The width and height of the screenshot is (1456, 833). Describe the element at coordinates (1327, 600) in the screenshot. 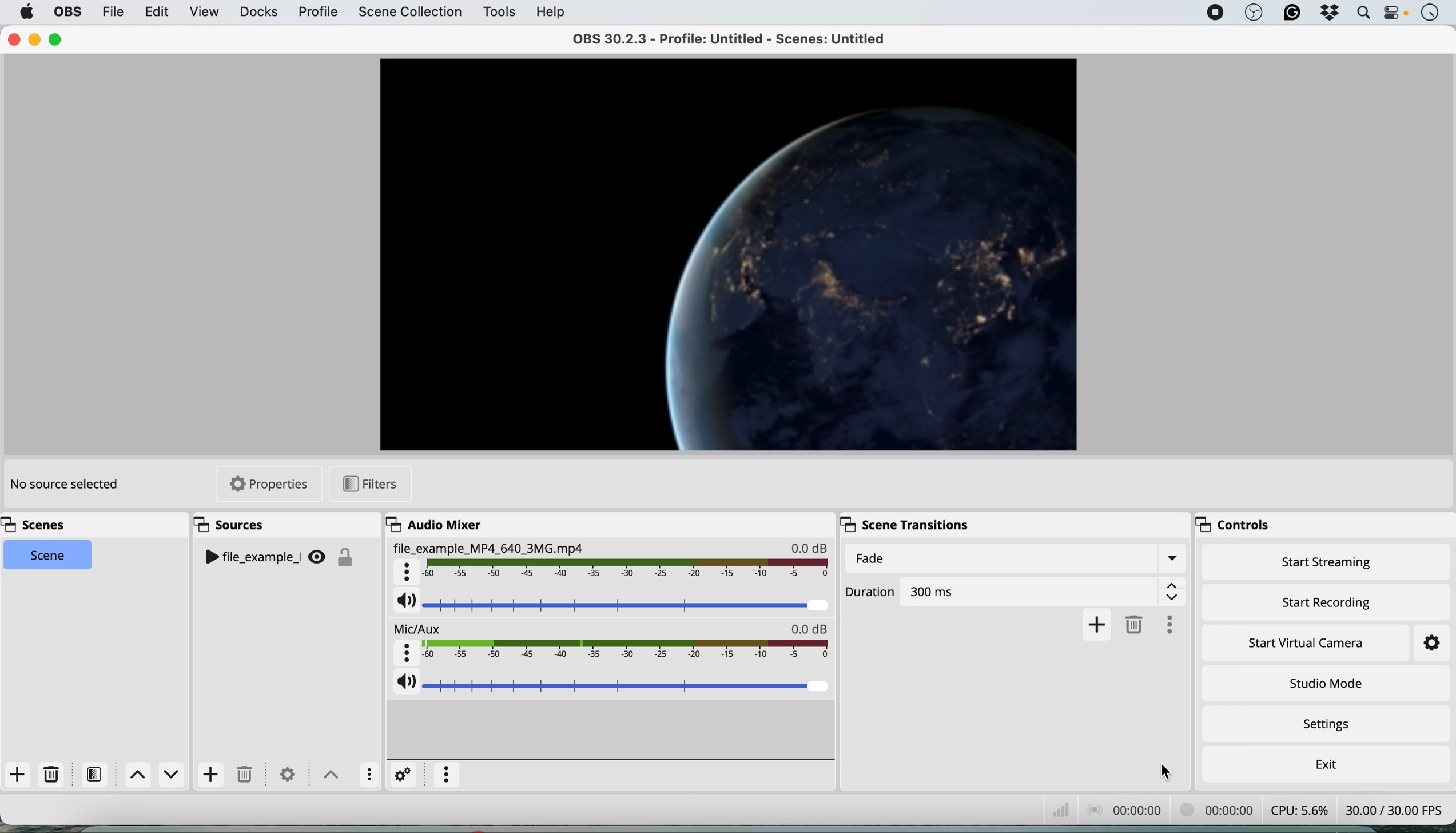

I see `start recording` at that location.